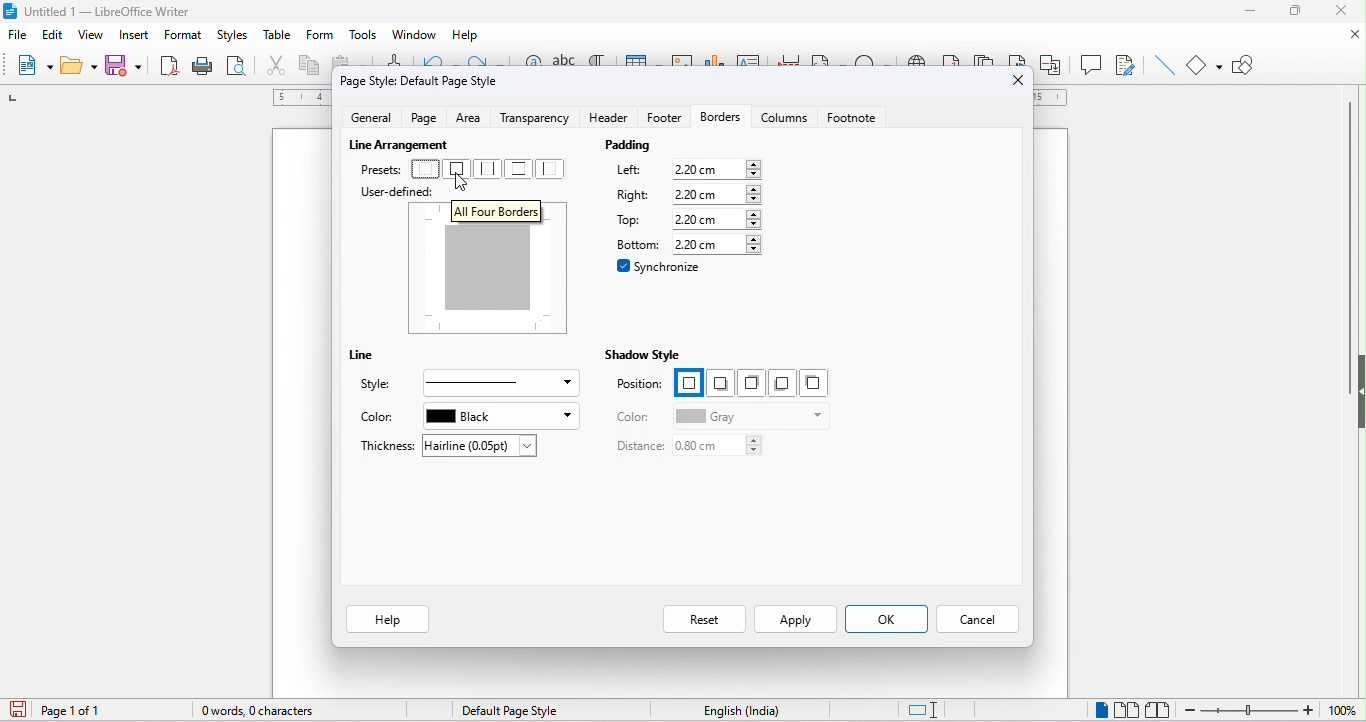  What do you see at coordinates (672, 147) in the screenshot?
I see `padding` at bounding box center [672, 147].